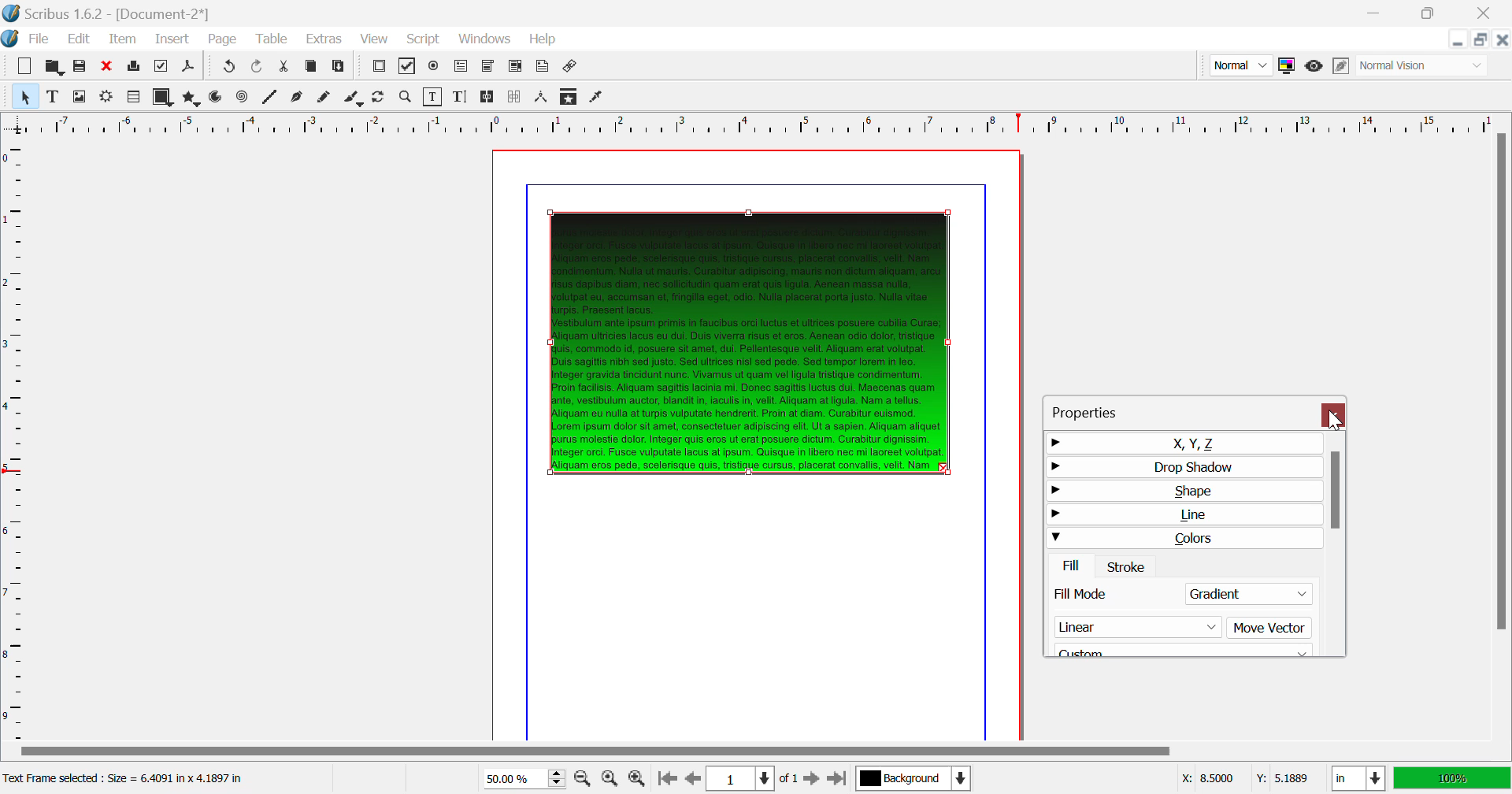  I want to click on Zoom to 100%, so click(610, 778).